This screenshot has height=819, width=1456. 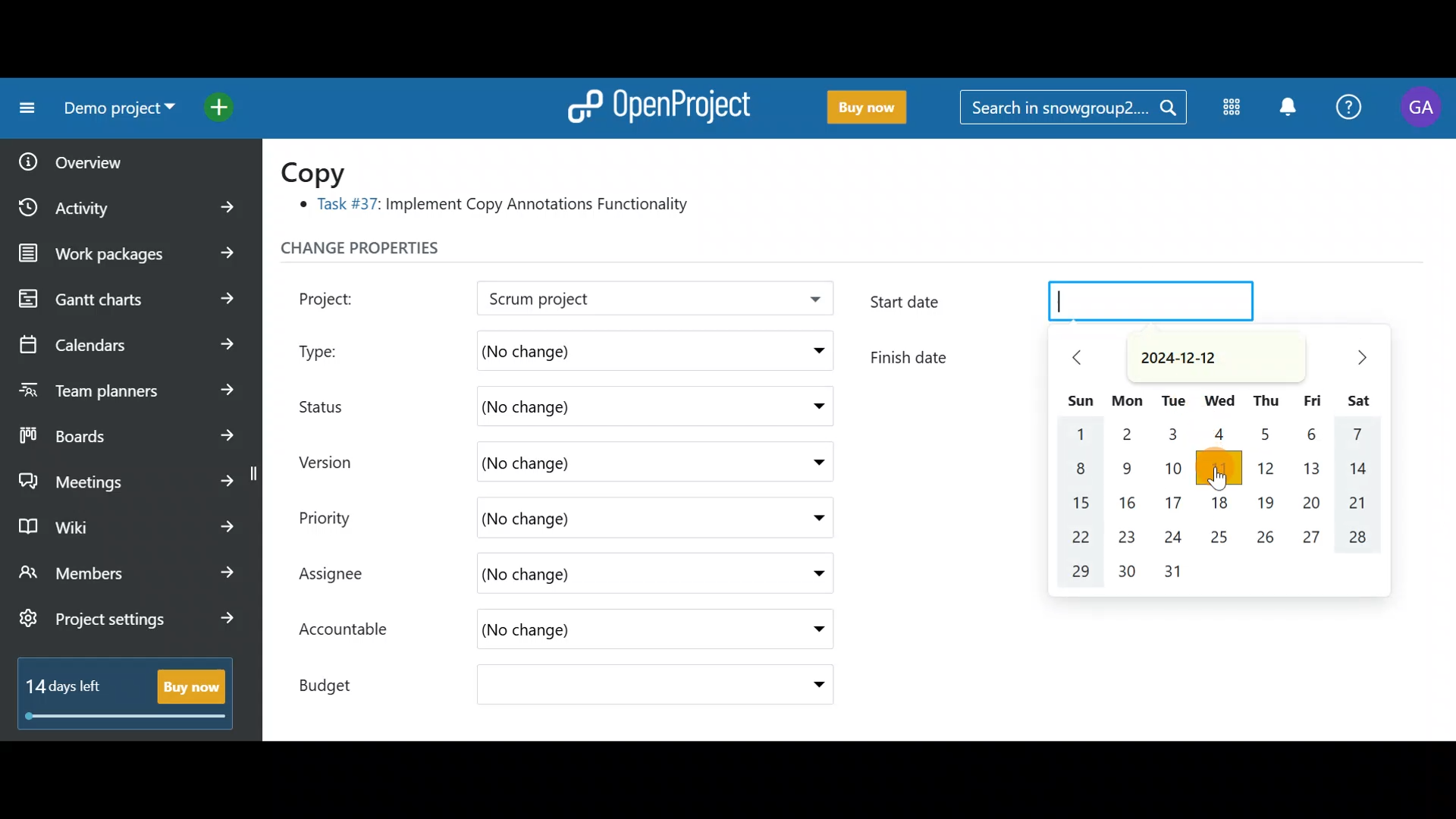 What do you see at coordinates (127, 575) in the screenshot?
I see `Members` at bounding box center [127, 575].